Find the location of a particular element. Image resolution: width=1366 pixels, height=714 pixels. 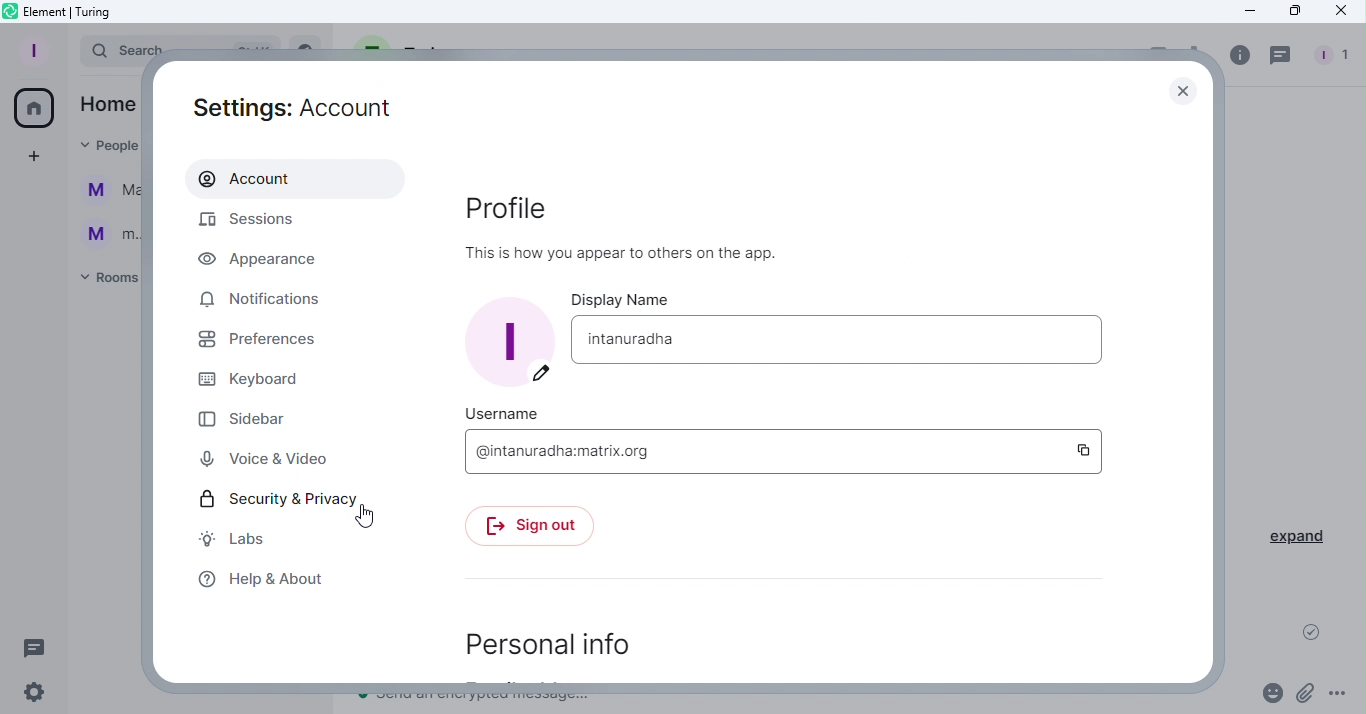

Home is located at coordinates (37, 105).